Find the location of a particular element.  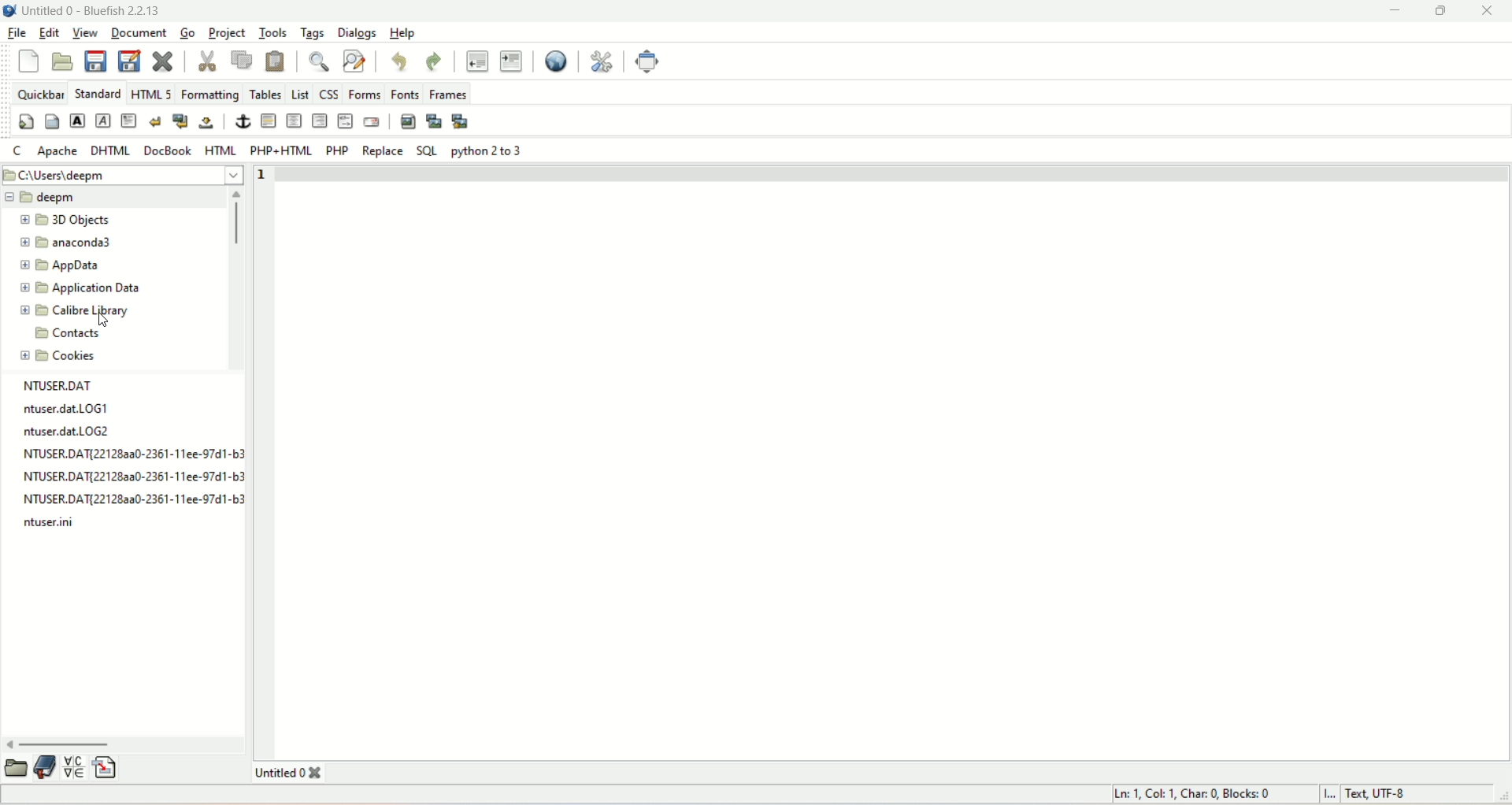

minimize is located at coordinates (1396, 13).